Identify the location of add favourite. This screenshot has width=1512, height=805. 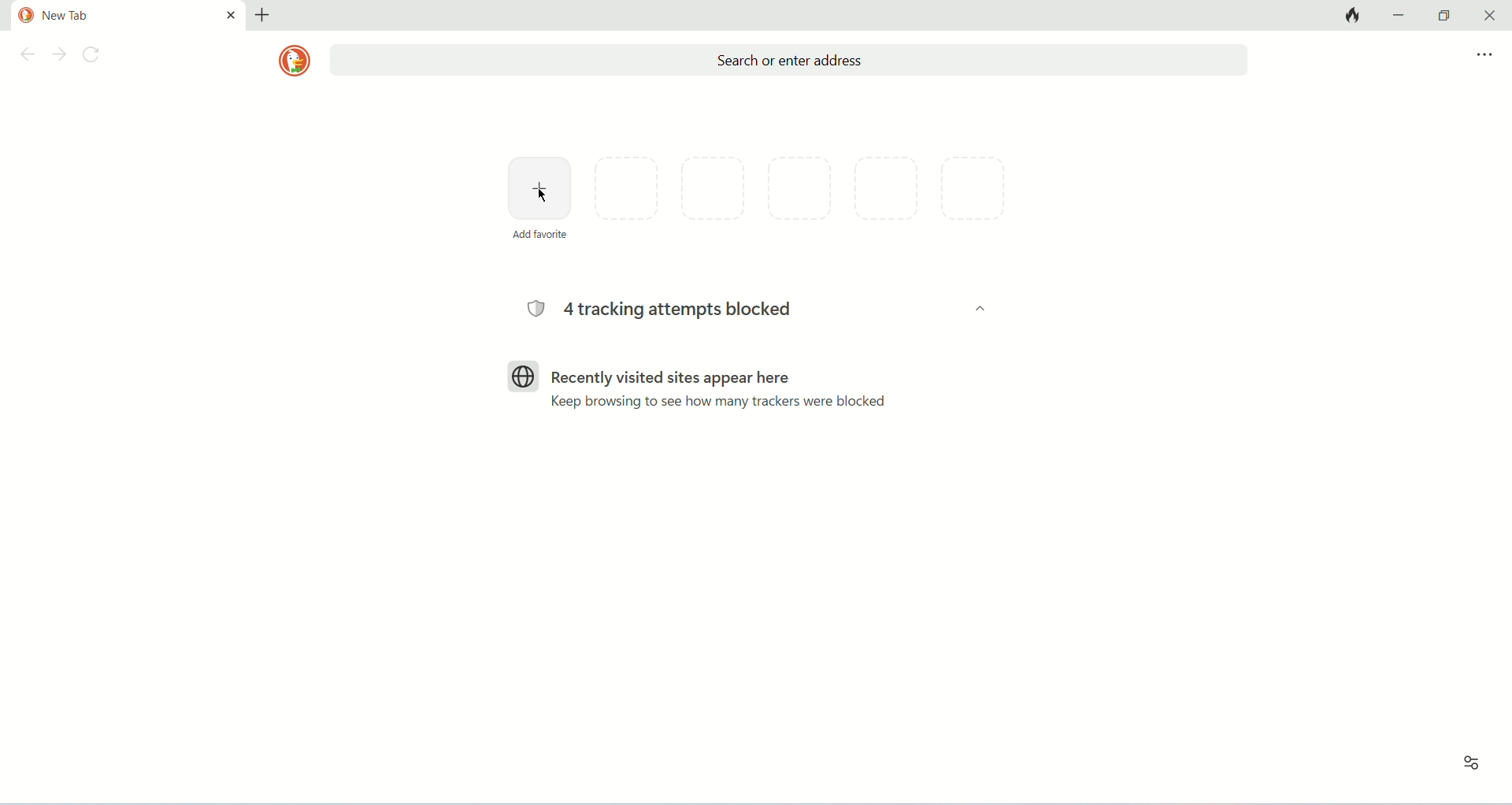
(540, 187).